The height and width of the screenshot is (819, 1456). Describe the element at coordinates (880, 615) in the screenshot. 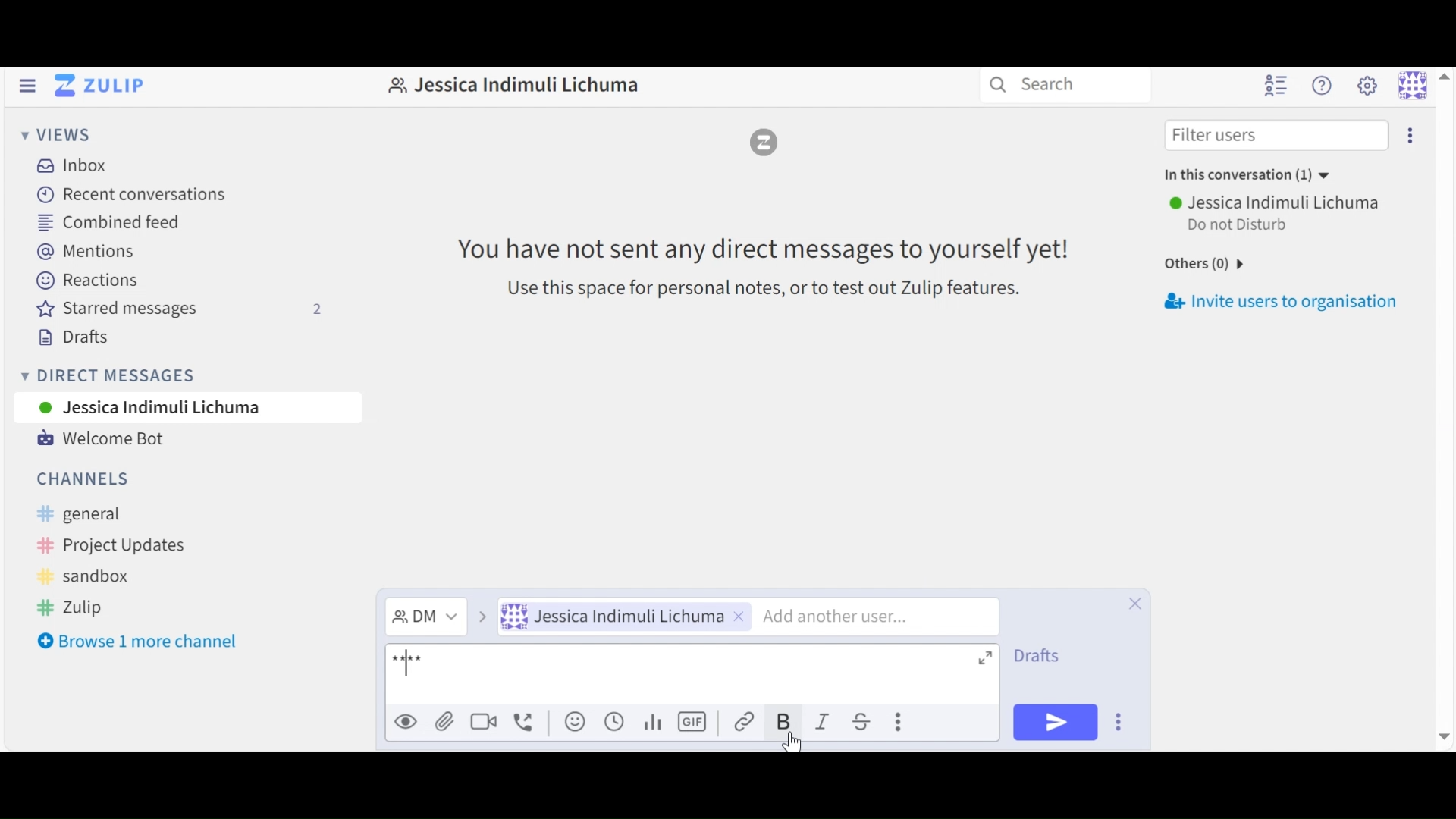

I see `Add another user` at that location.